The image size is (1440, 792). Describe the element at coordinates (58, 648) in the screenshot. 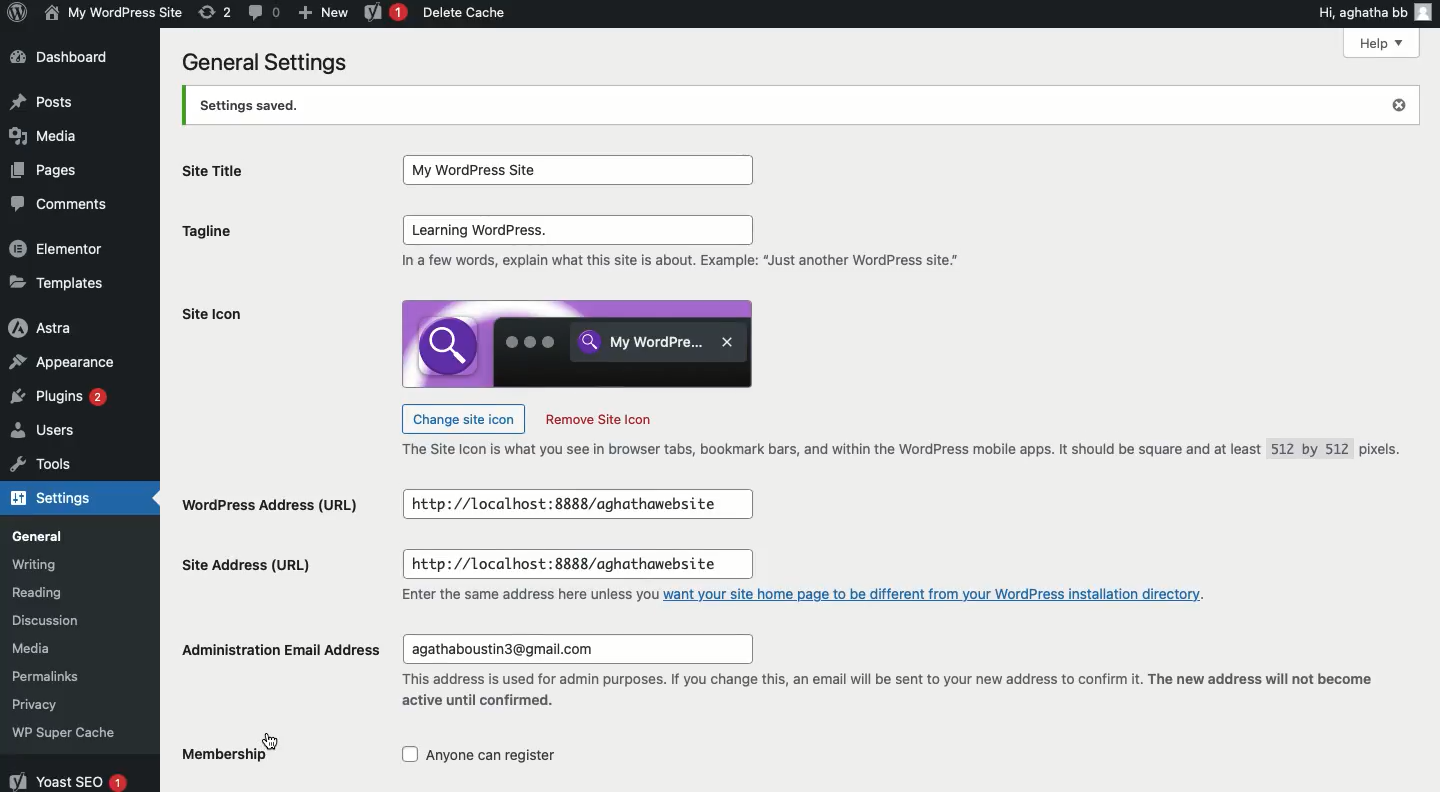

I see `Media` at that location.